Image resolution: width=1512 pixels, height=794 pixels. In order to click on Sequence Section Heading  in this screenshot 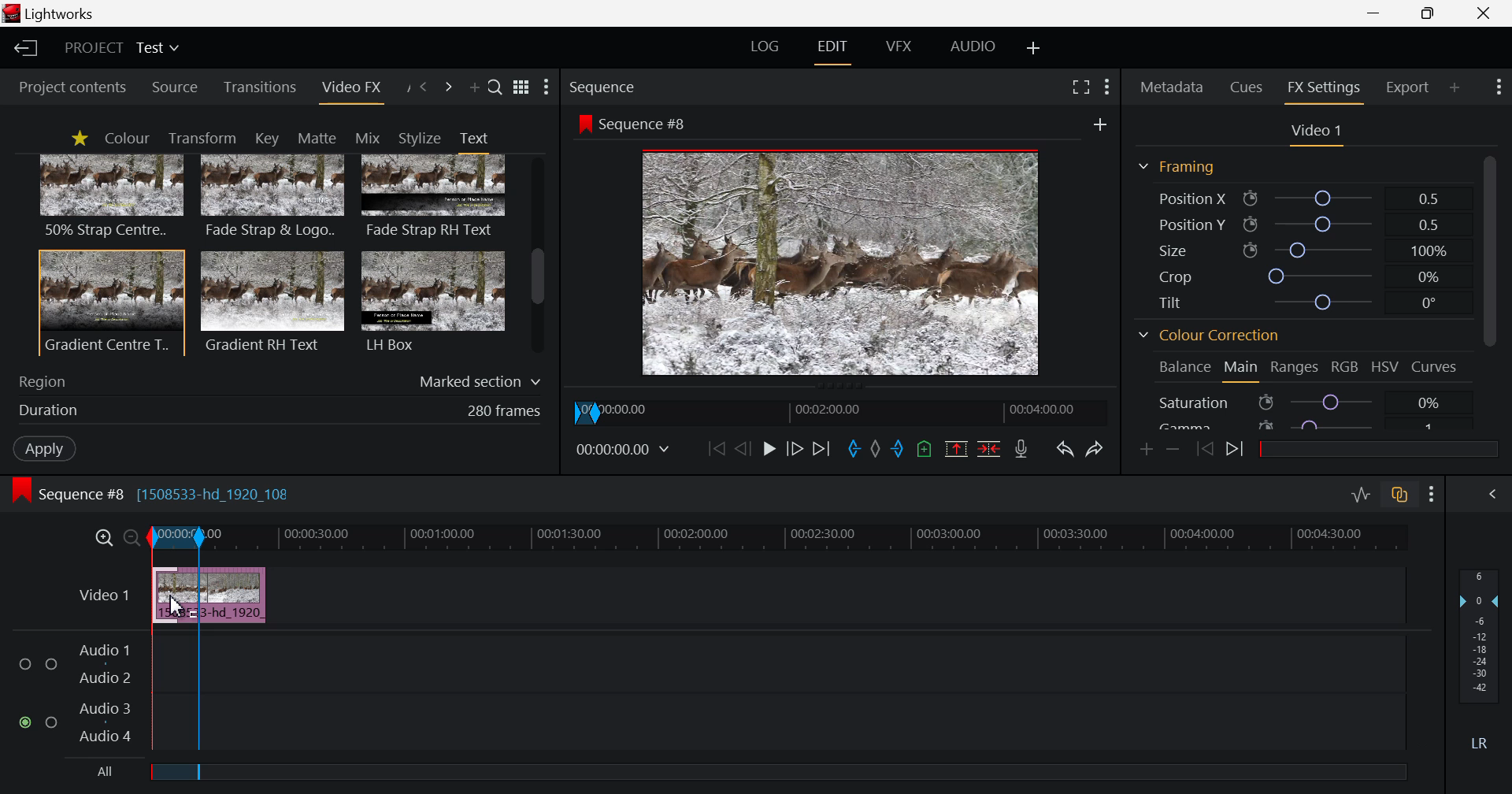, I will do `click(668, 86)`.